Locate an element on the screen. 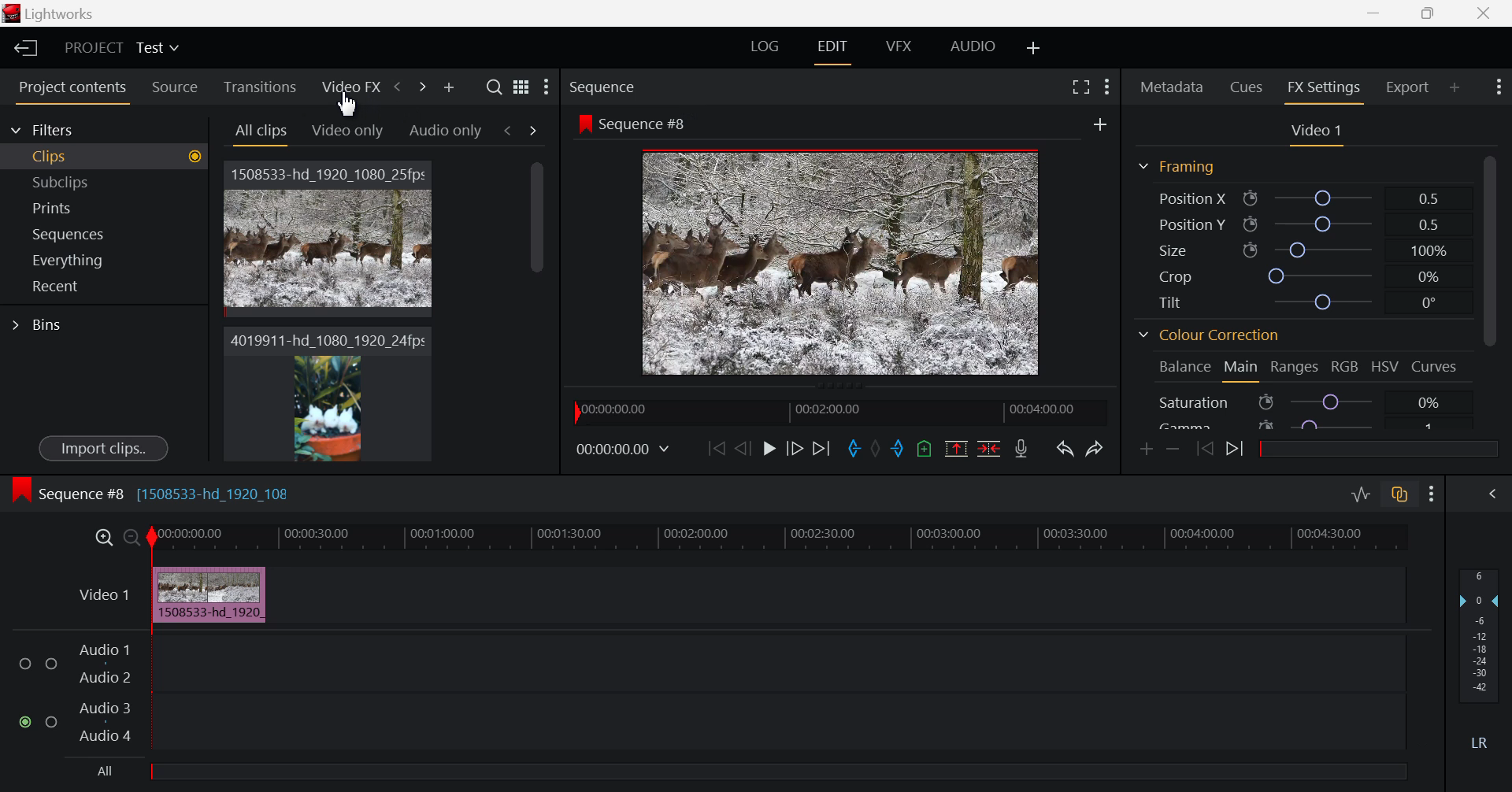  Previous keyframe is located at coordinates (1204, 450).